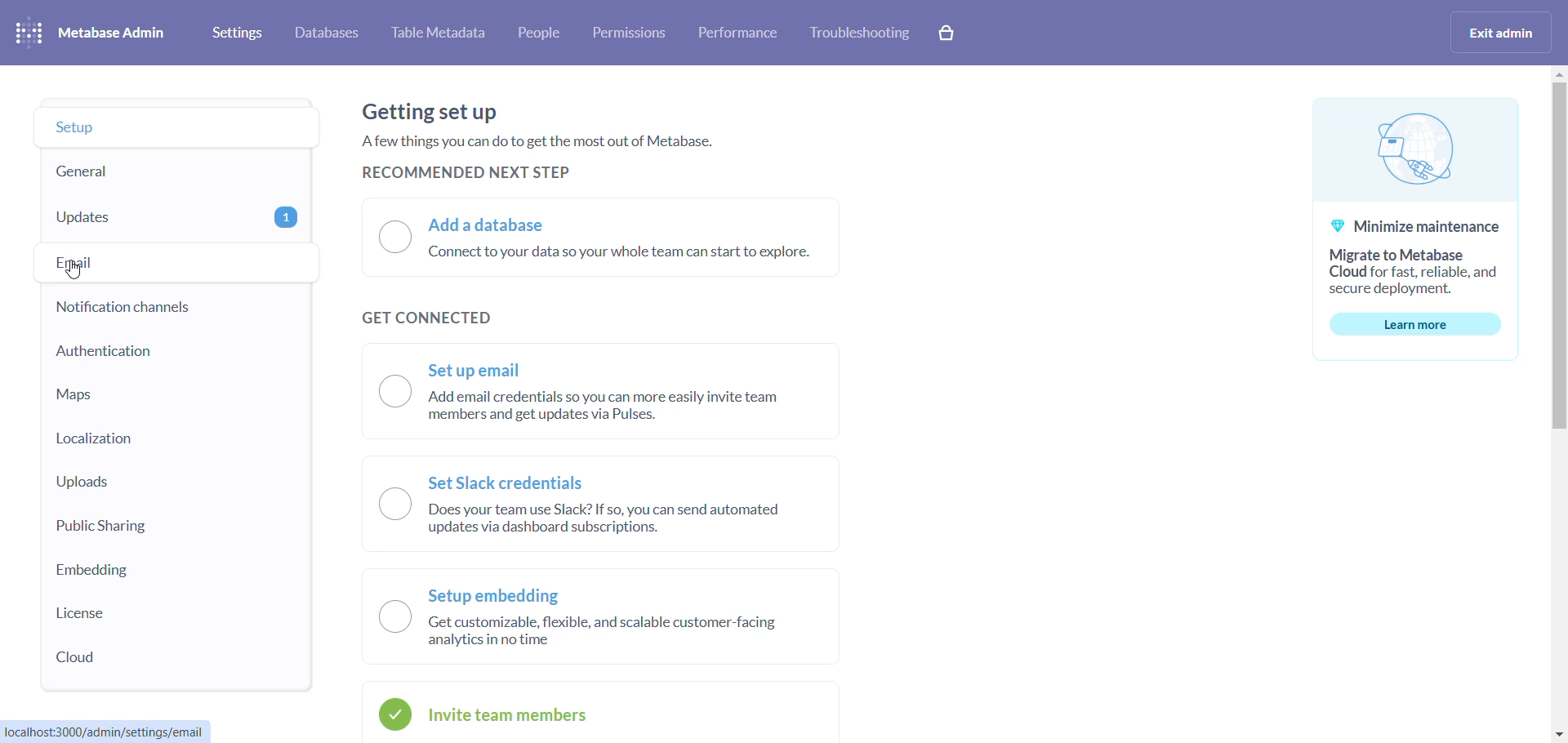  Describe the element at coordinates (237, 32) in the screenshot. I see `settings` at that location.